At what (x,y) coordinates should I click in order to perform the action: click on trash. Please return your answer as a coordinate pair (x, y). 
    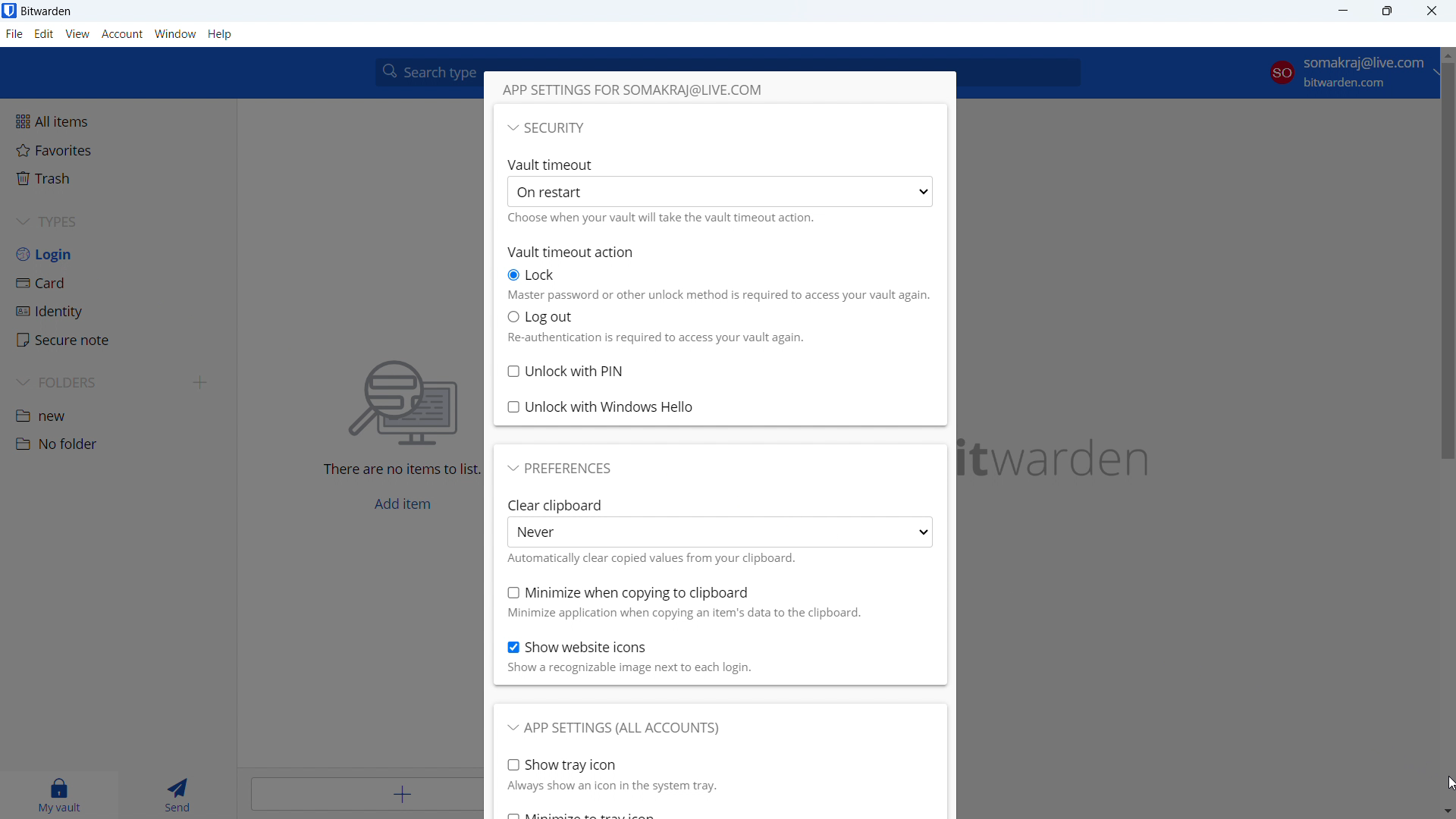
    Looking at the image, I should click on (116, 178).